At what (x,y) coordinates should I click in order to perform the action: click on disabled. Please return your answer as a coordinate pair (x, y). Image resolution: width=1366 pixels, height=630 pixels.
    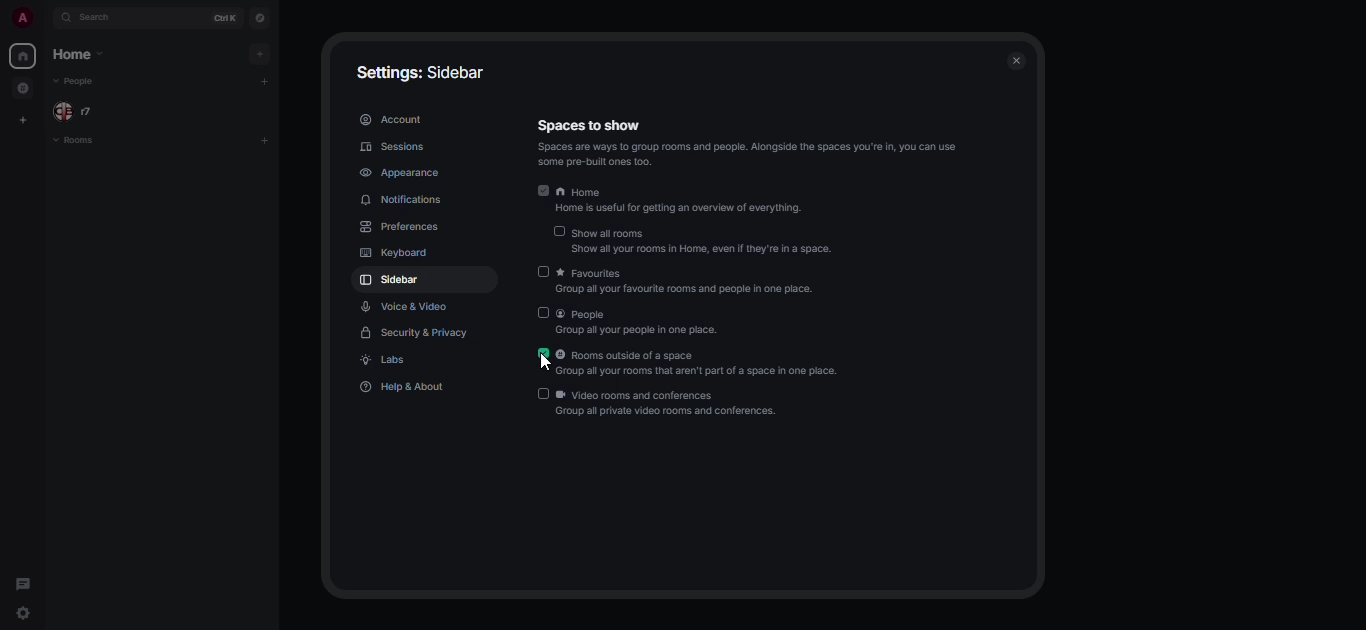
    Looking at the image, I should click on (545, 312).